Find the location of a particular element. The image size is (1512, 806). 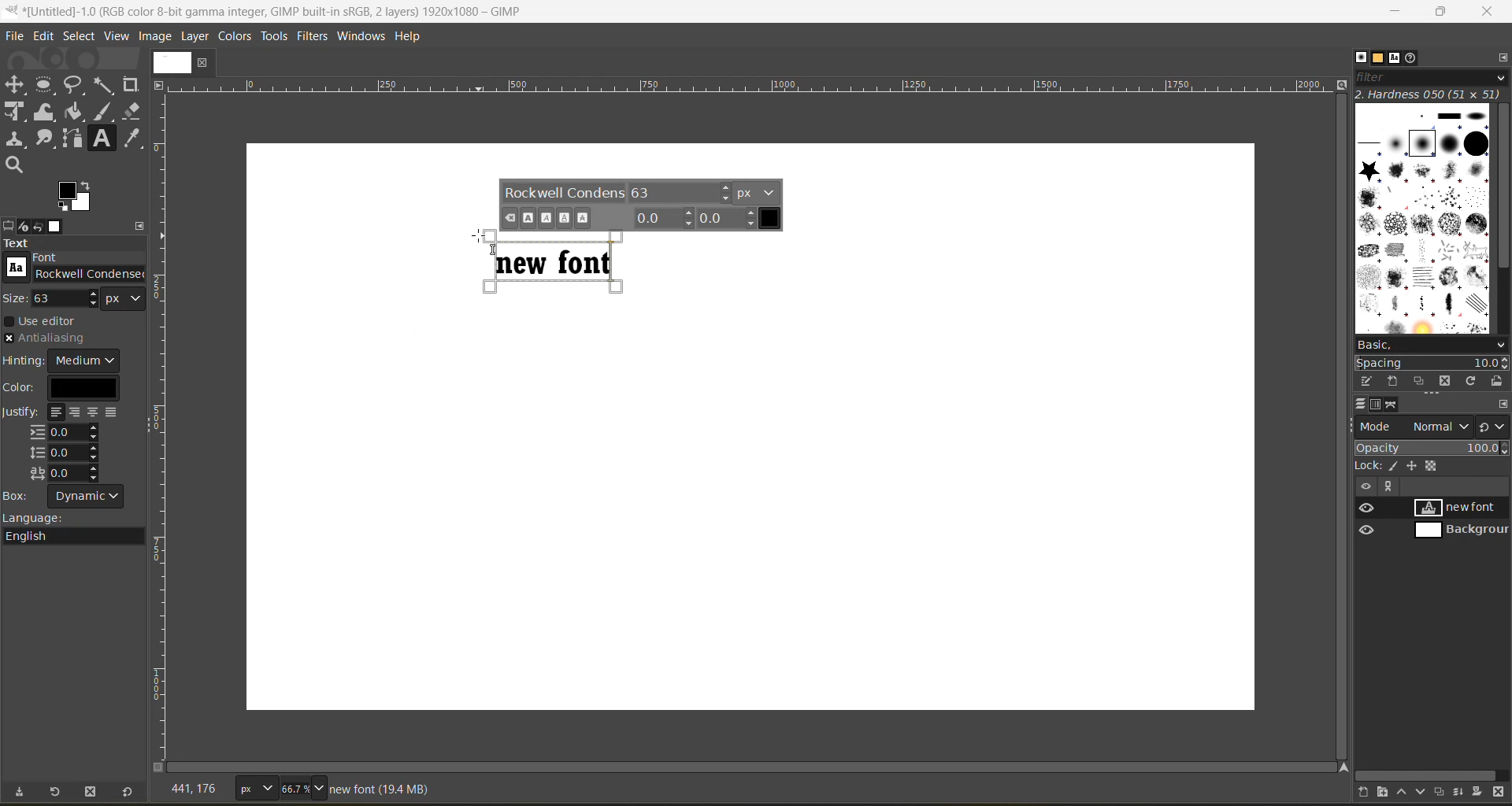

document history is located at coordinates (1412, 57).